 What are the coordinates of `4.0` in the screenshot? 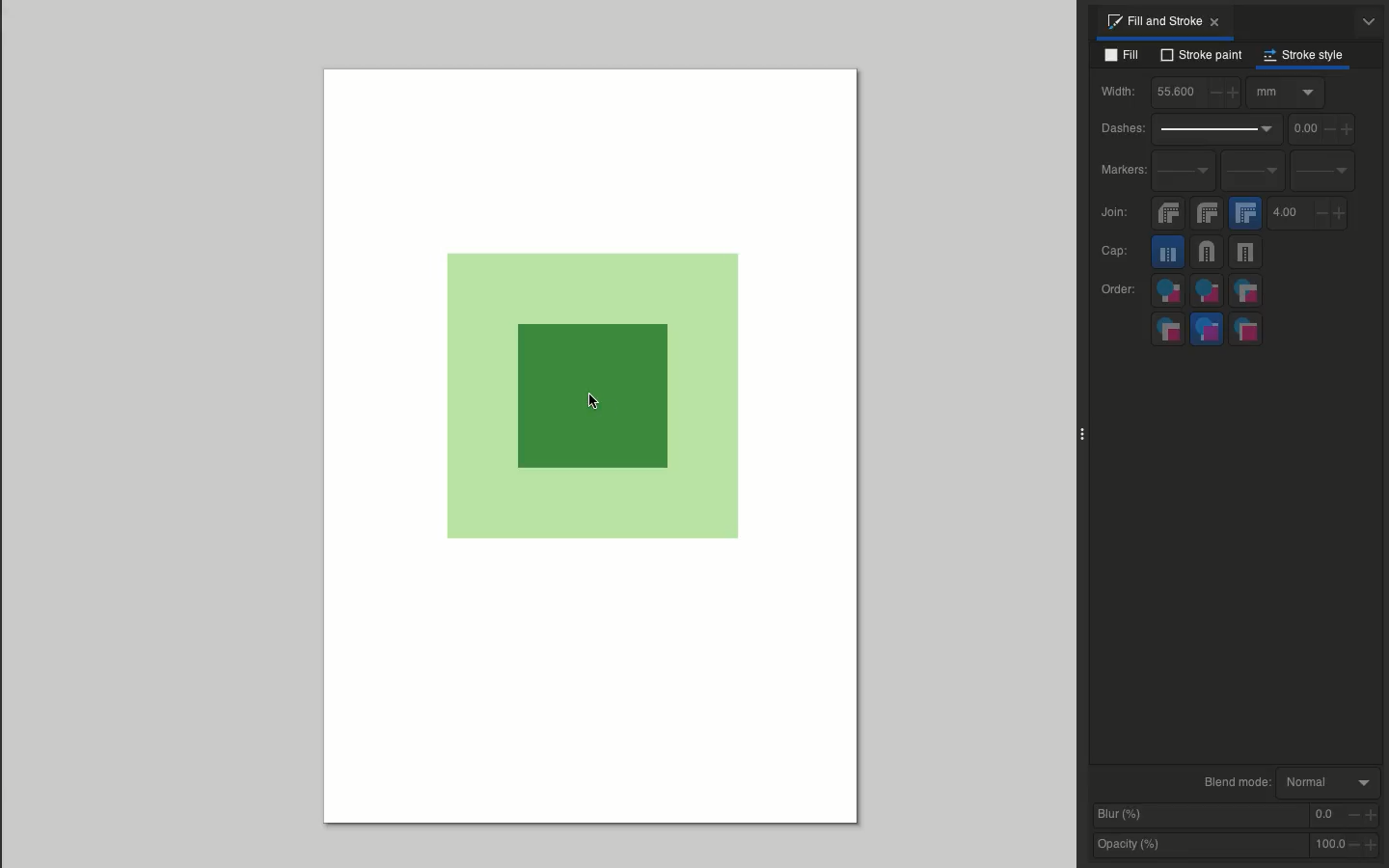 It's located at (1307, 214).